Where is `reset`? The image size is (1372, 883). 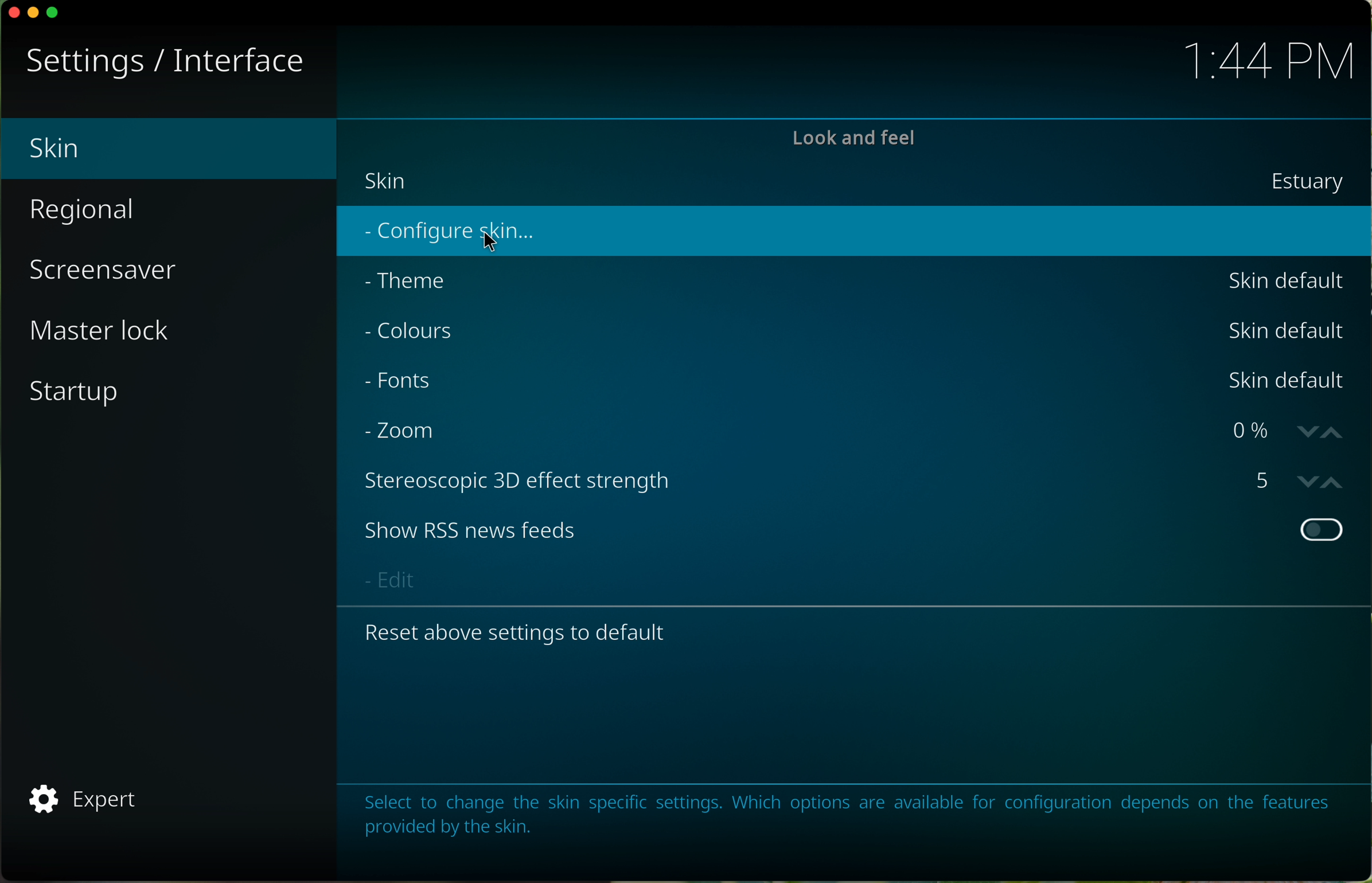 reset is located at coordinates (530, 636).